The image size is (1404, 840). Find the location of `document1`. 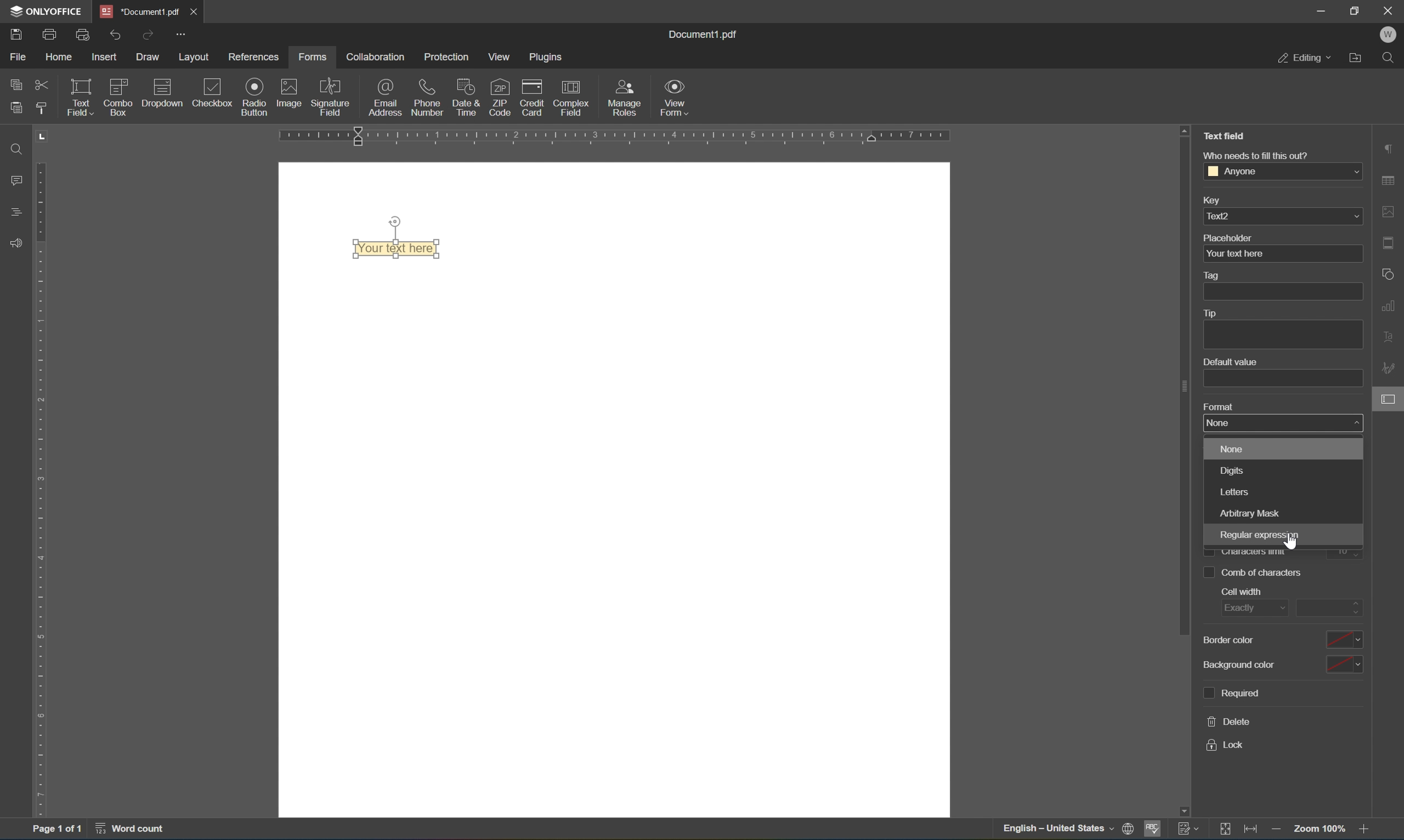

document1 is located at coordinates (137, 9).